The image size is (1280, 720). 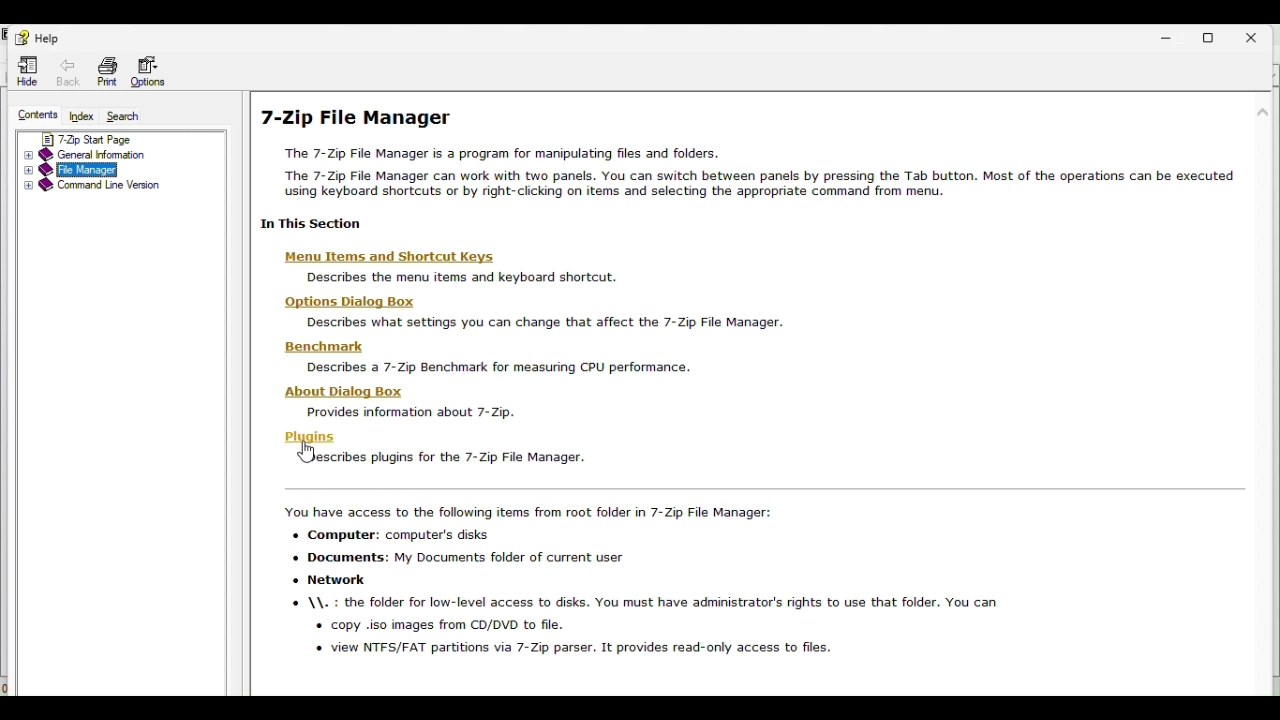 What do you see at coordinates (119, 155) in the screenshot?
I see `General information` at bounding box center [119, 155].